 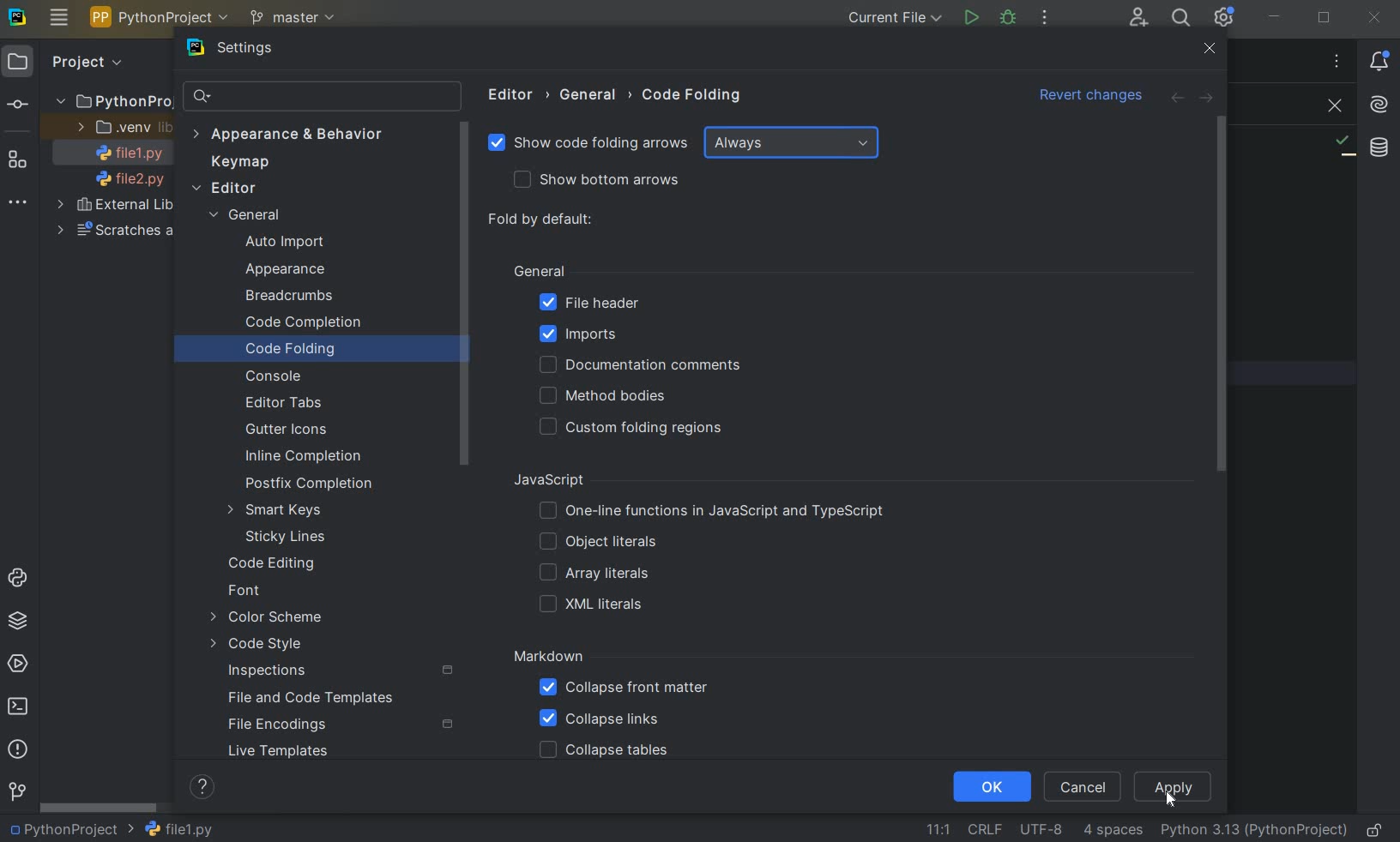 What do you see at coordinates (17, 105) in the screenshot?
I see `COMMIT` at bounding box center [17, 105].